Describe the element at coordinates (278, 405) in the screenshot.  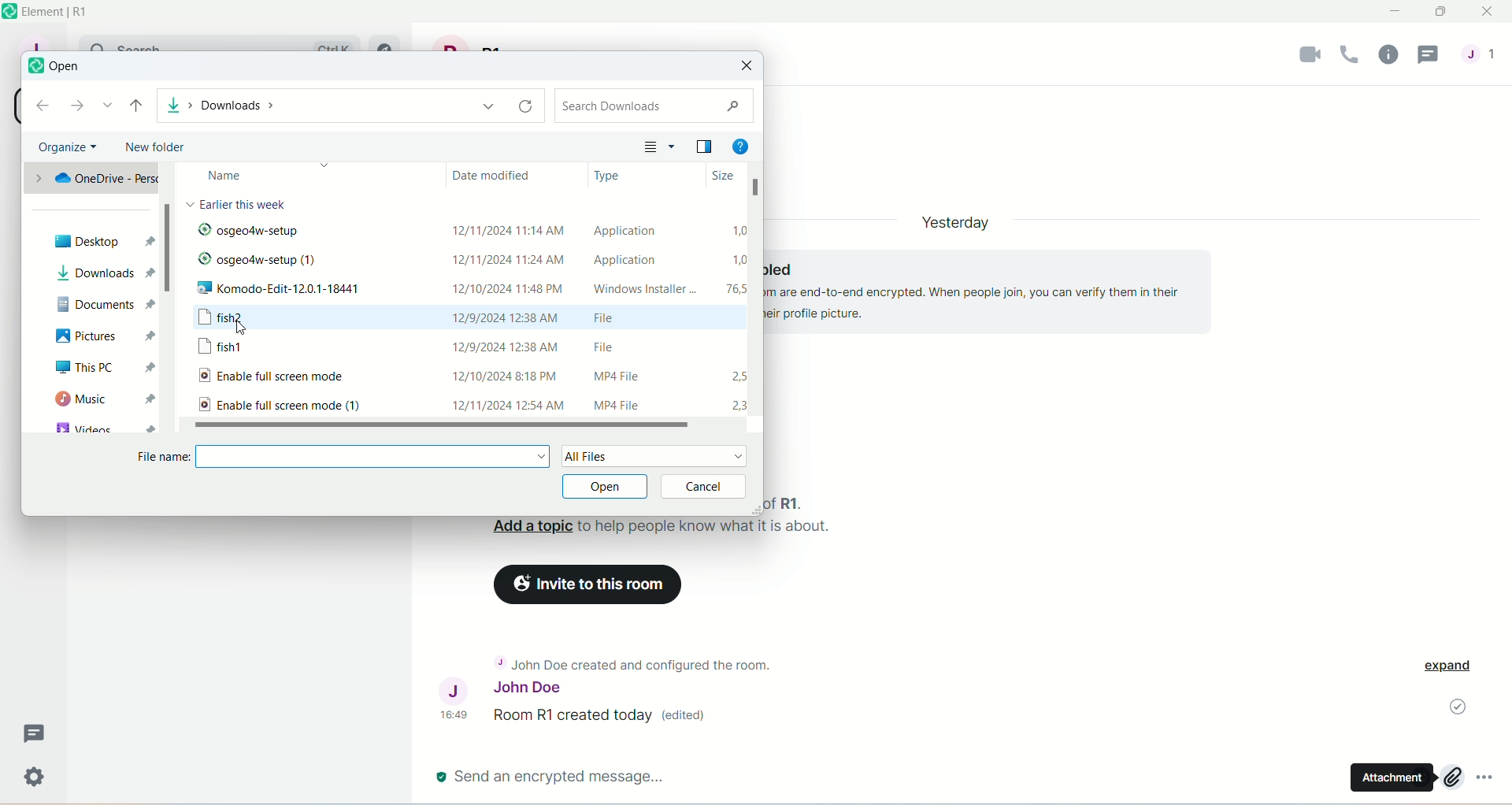
I see `©] Enable full screen mode (1)` at that location.